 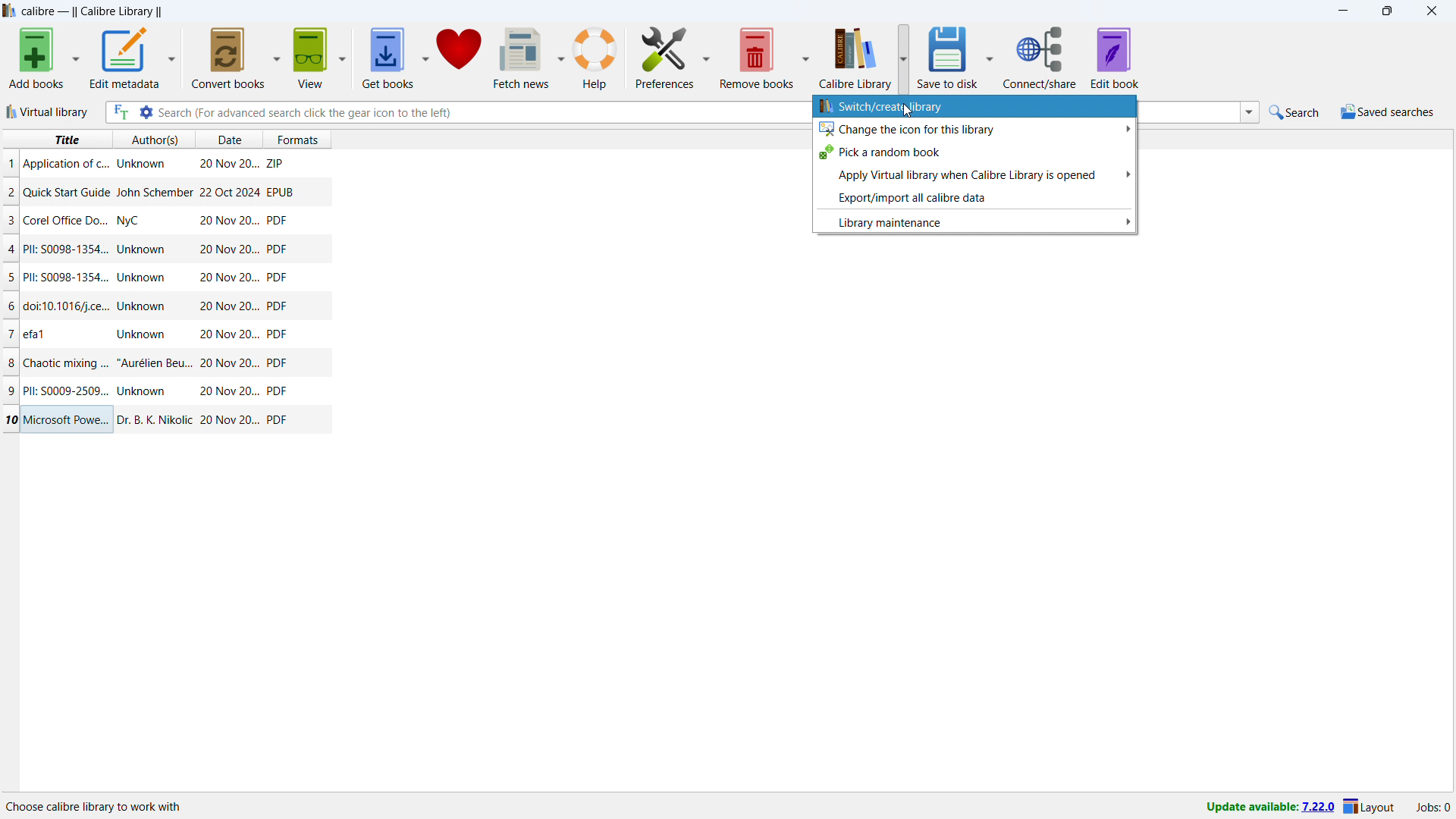 What do you see at coordinates (10, 11) in the screenshot?
I see `logo` at bounding box center [10, 11].